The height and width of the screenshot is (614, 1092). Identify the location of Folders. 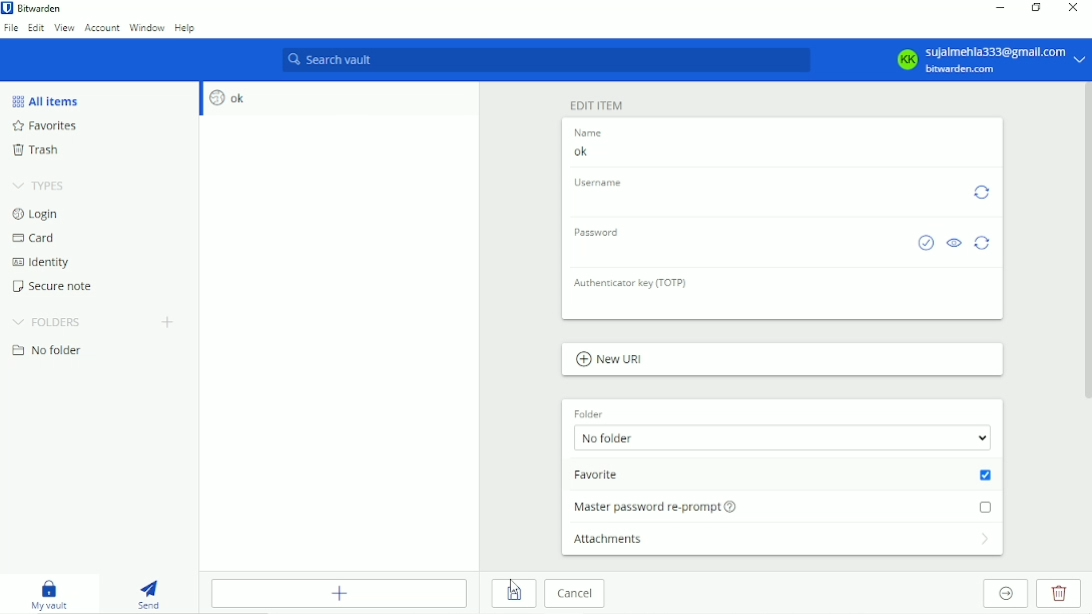
(48, 322).